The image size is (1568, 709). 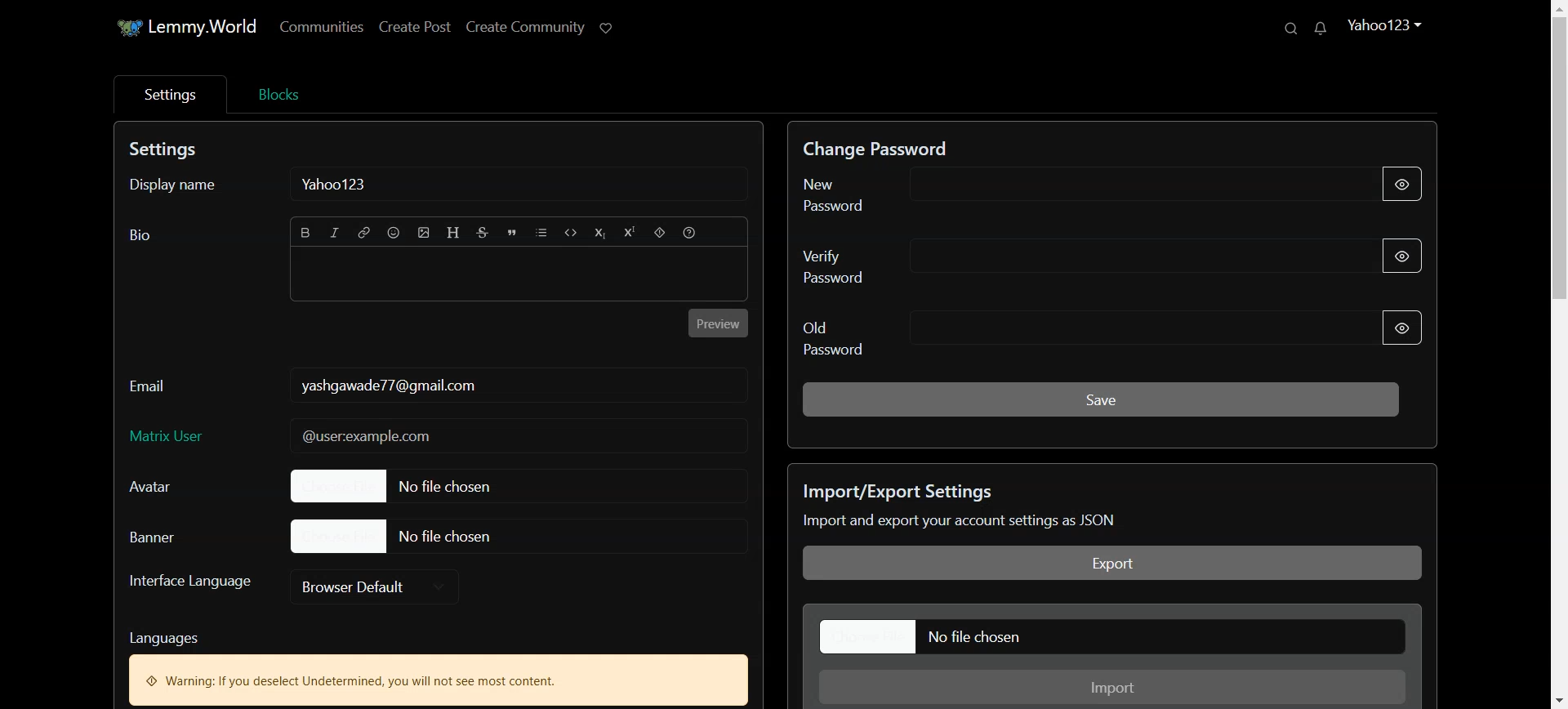 I want to click on Subscript, so click(x=600, y=234).